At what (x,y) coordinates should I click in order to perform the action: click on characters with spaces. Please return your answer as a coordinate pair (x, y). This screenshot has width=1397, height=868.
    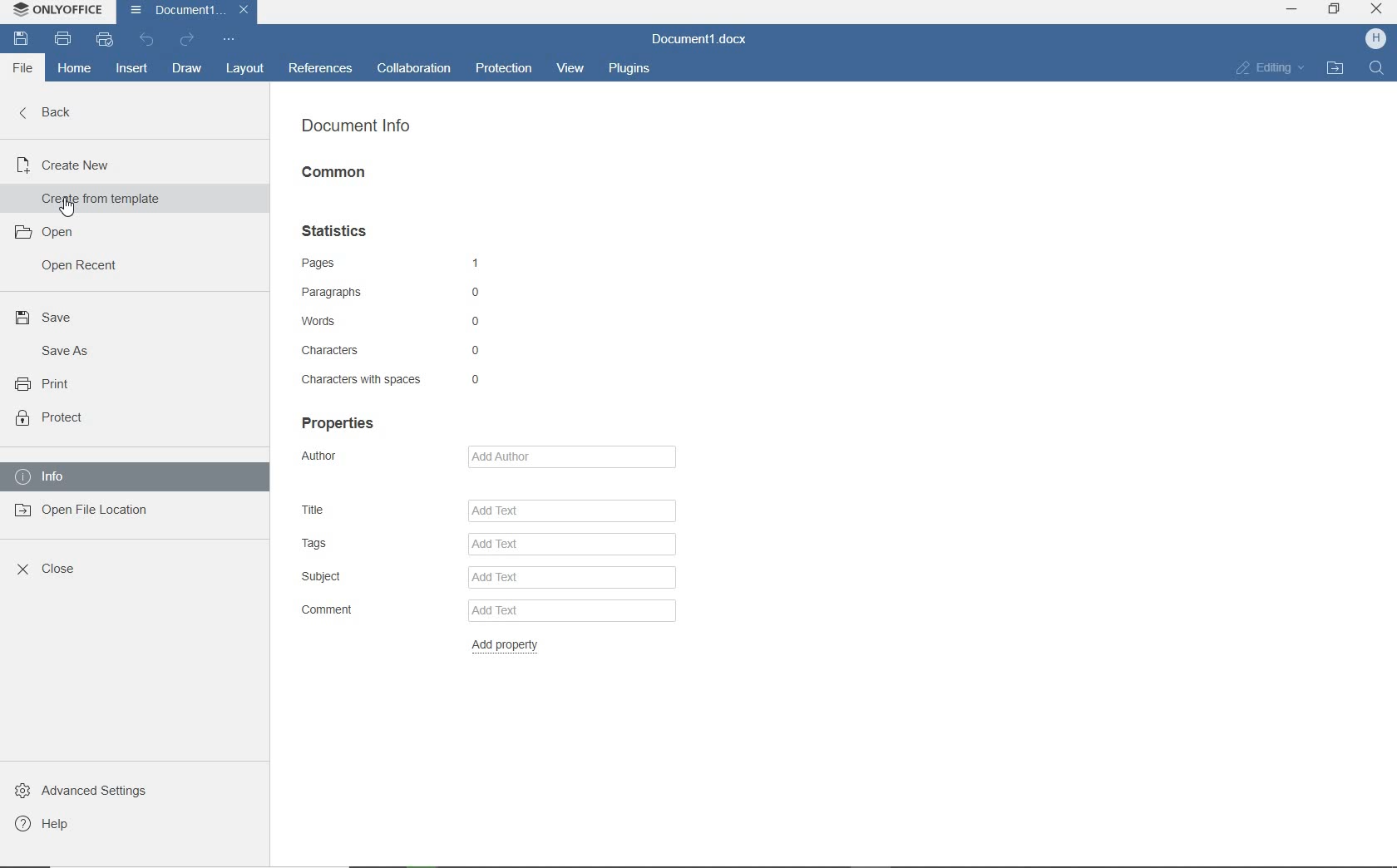
    Looking at the image, I should click on (392, 378).